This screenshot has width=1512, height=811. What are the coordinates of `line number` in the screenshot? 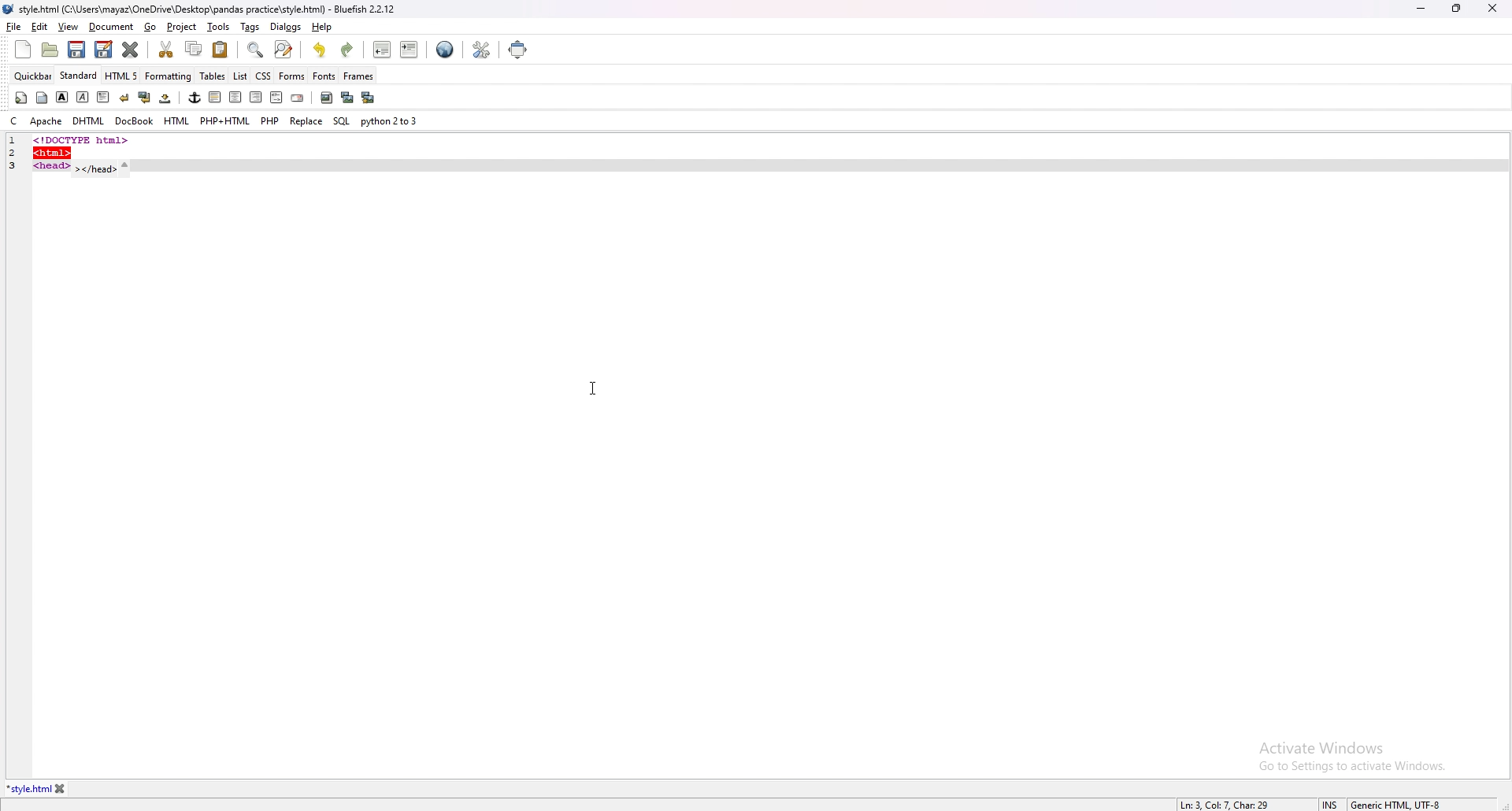 It's located at (17, 165).